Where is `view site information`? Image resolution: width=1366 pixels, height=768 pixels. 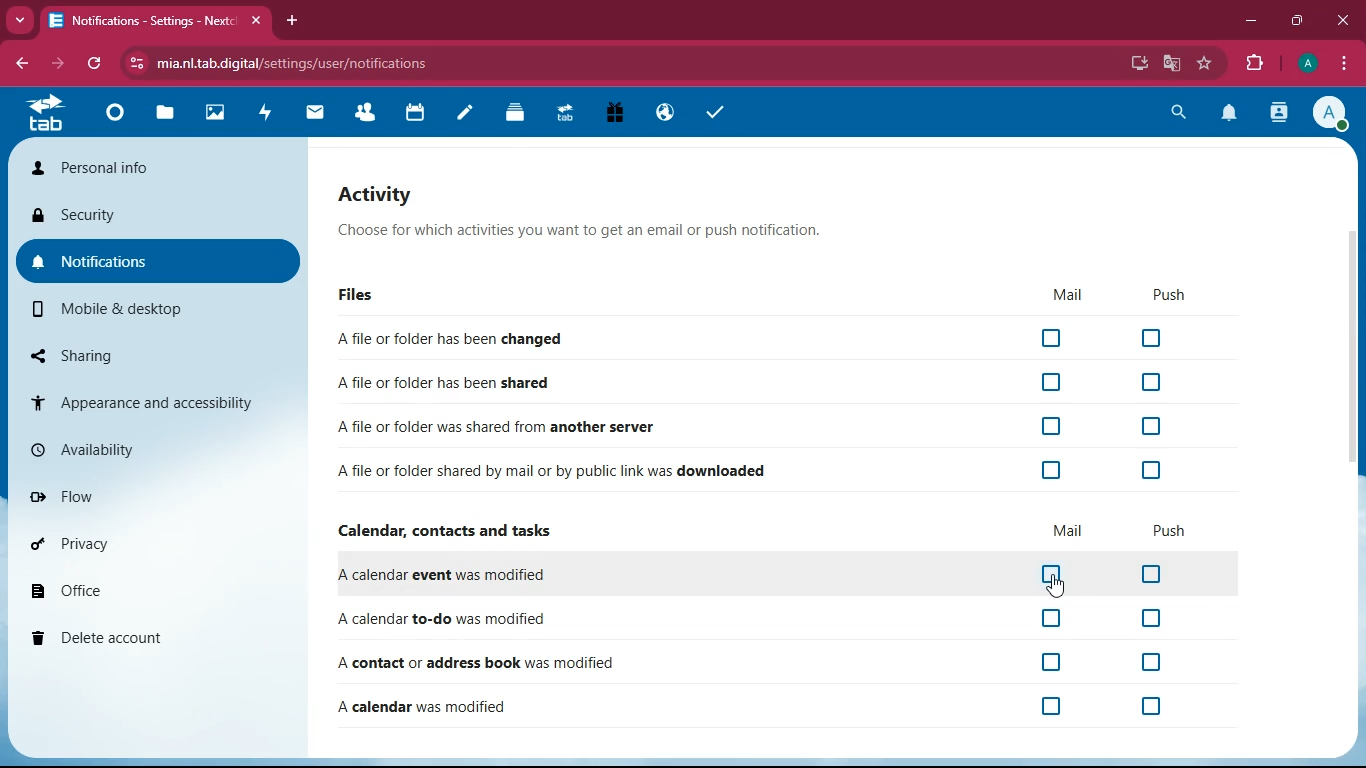
view site information is located at coordinates (134, 65).